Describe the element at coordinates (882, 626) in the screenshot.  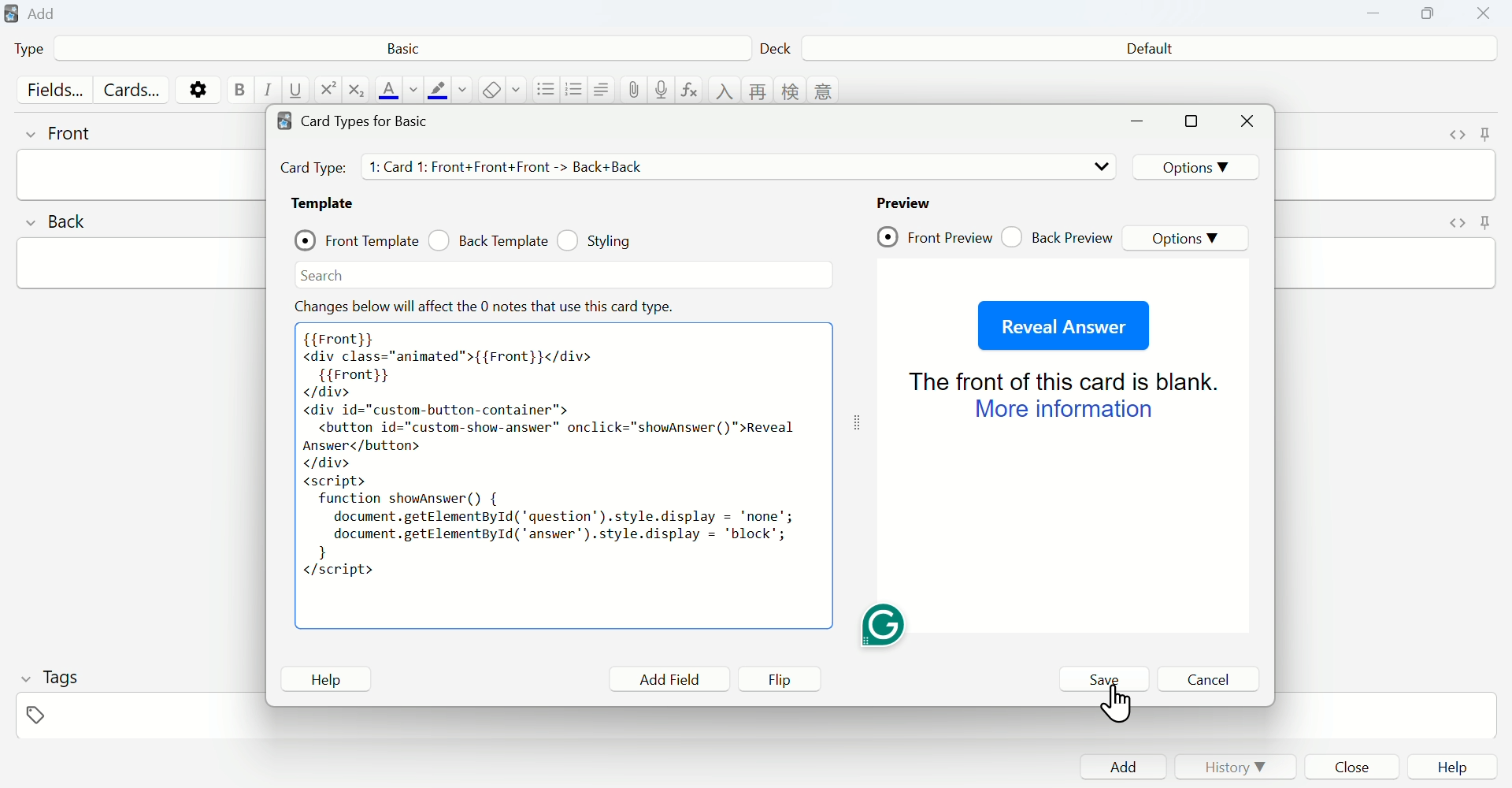
I see `Grammarly extension` at that location.